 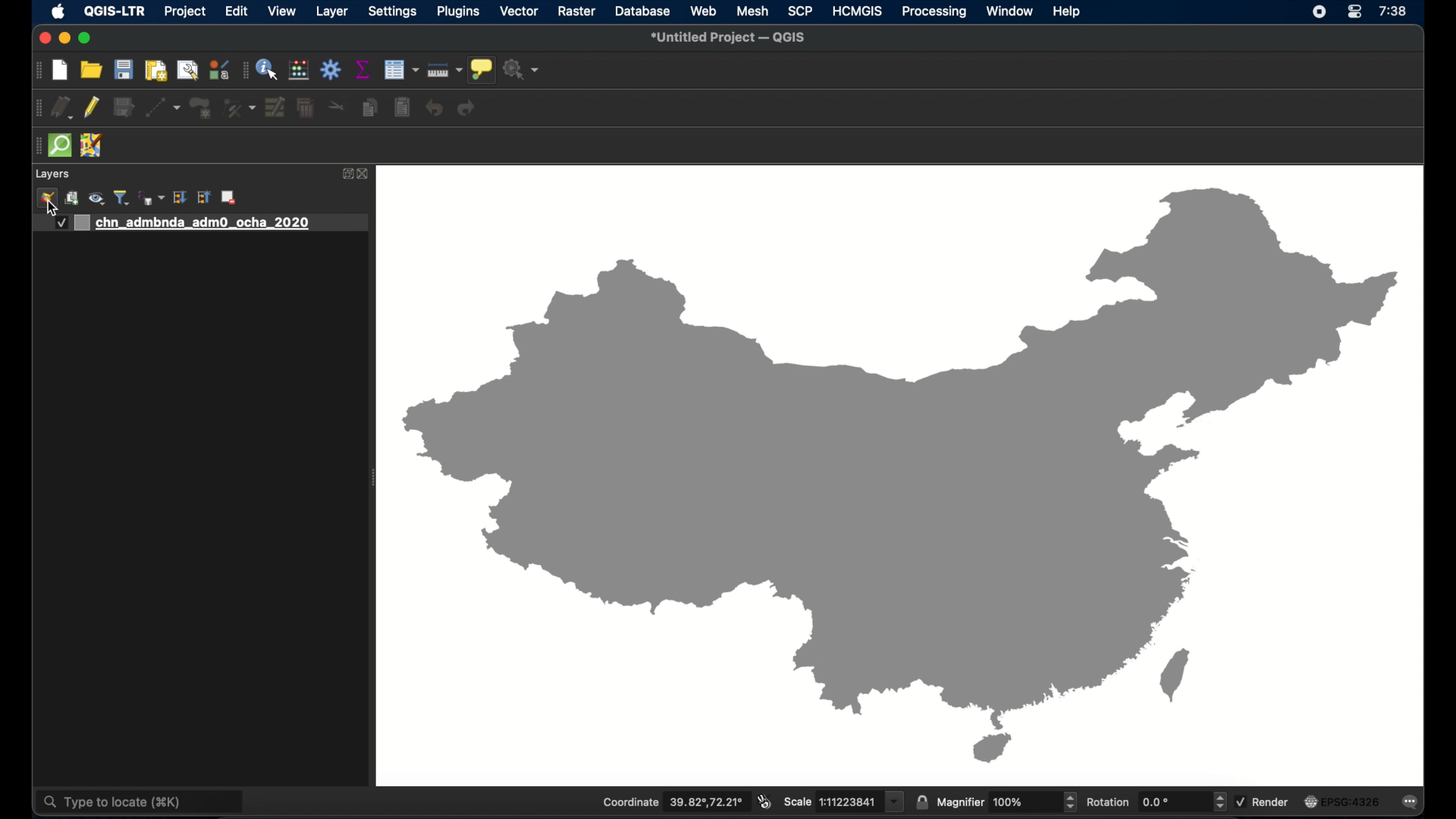 I want to click on drag handle, so click(x=373, y=478).